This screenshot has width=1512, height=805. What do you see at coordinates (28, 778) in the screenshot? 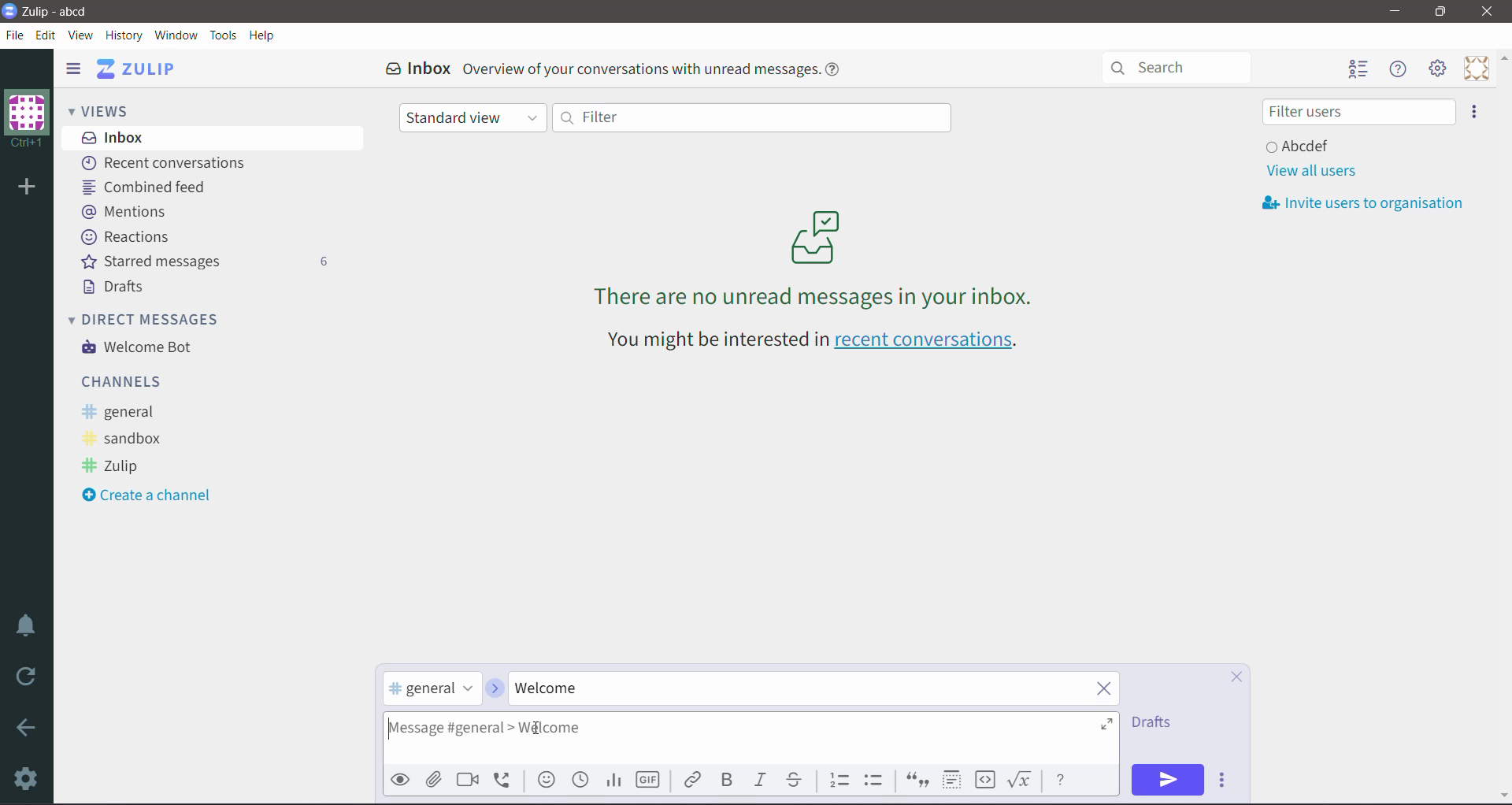
I see `Settings` at bounding box center [28, 778].